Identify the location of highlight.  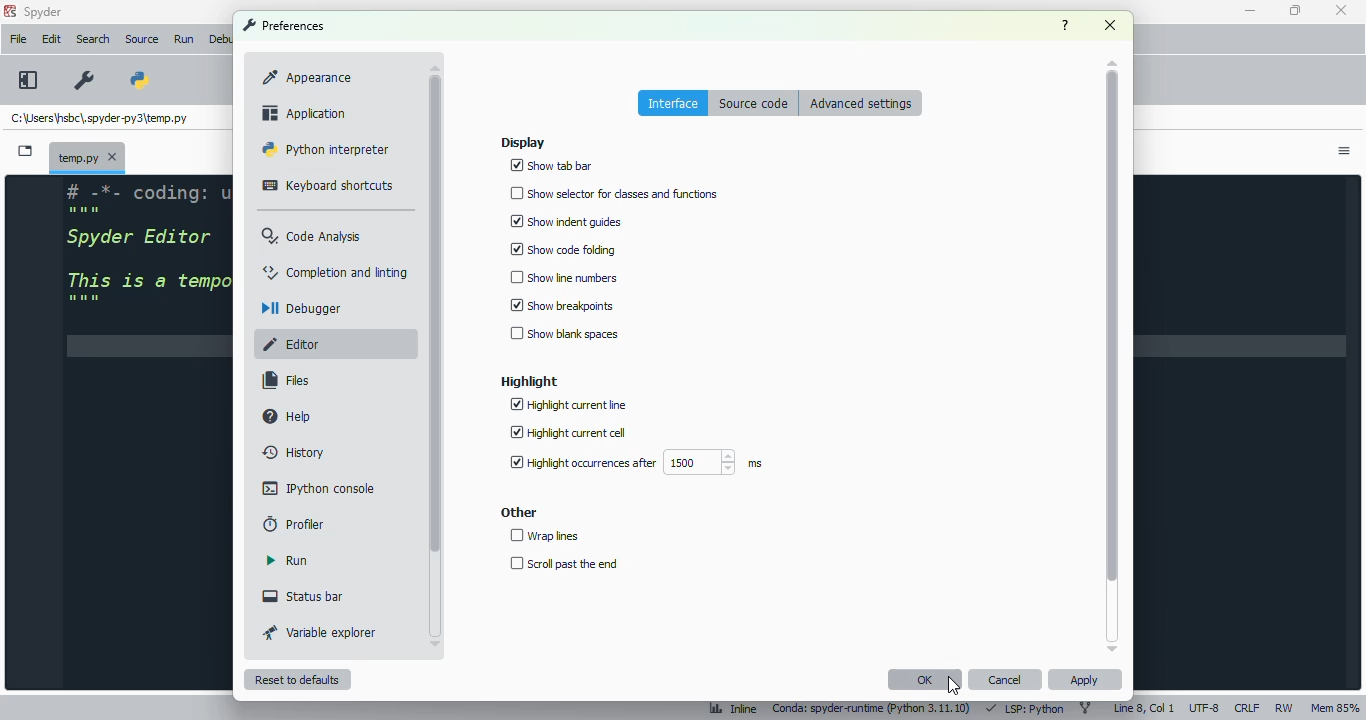
(531, 382).